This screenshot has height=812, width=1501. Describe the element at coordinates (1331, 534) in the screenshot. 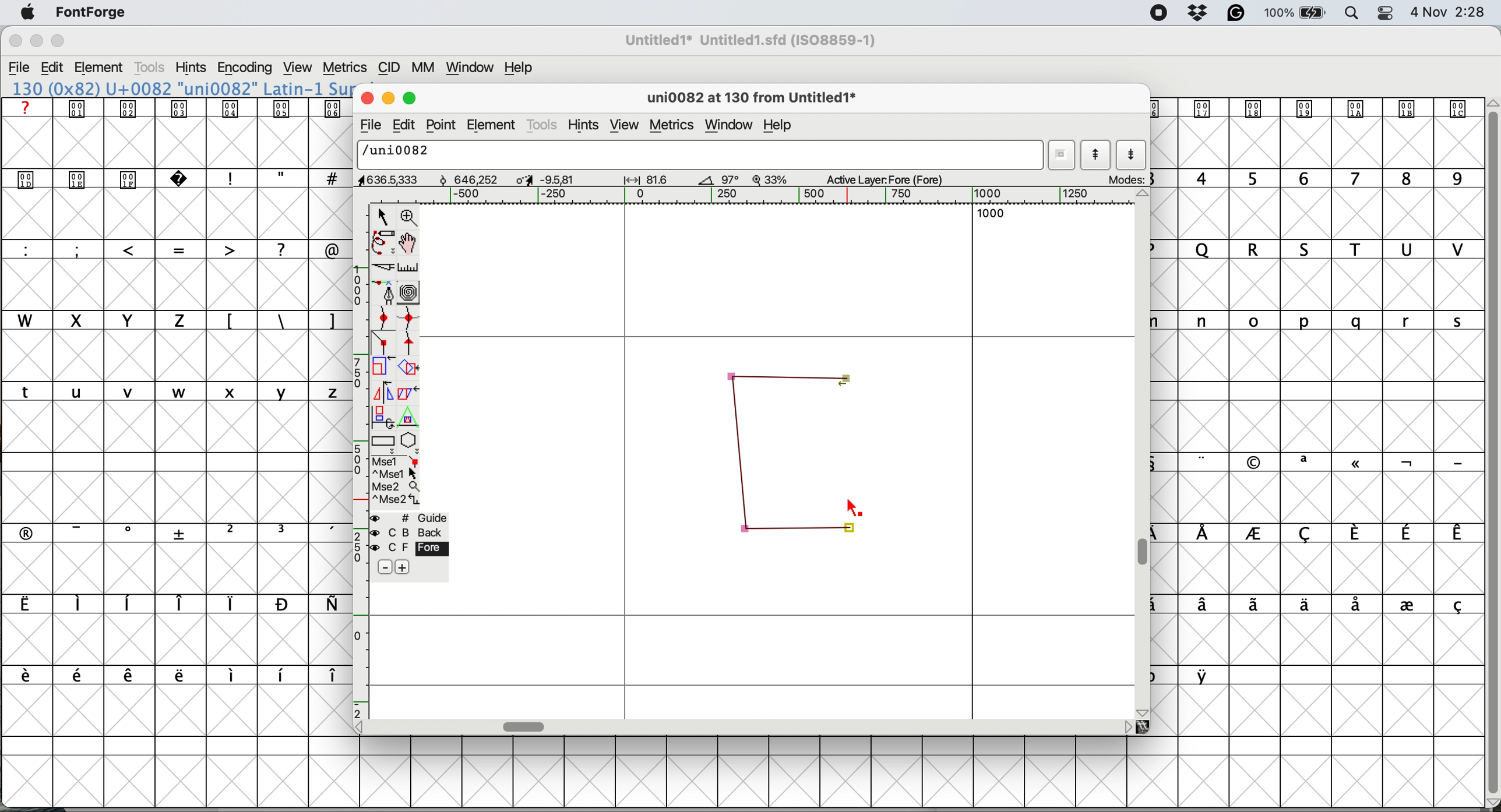

I see `symbols` at that location.